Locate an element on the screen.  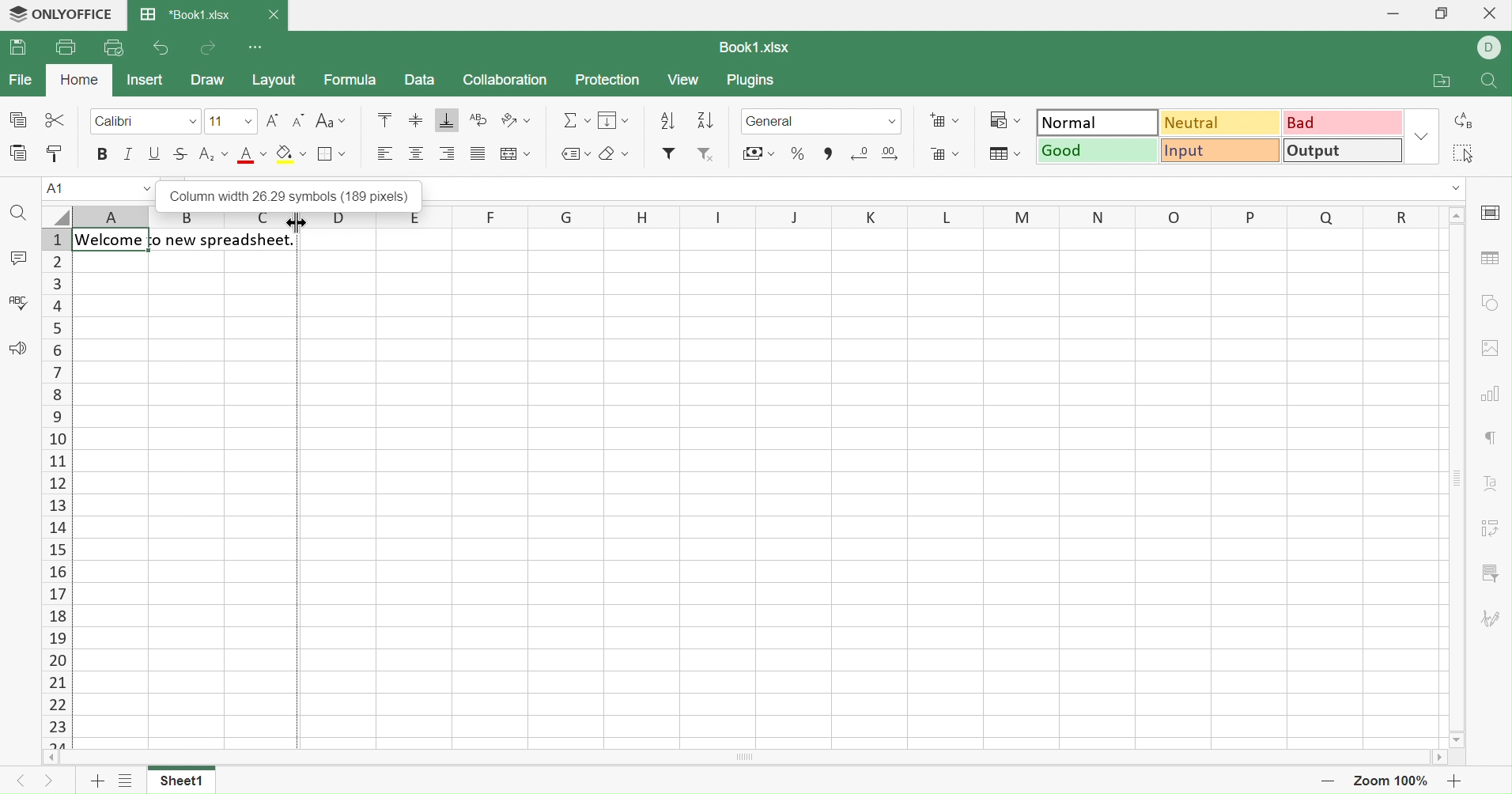
Cut is located at coordinates (54, 117).